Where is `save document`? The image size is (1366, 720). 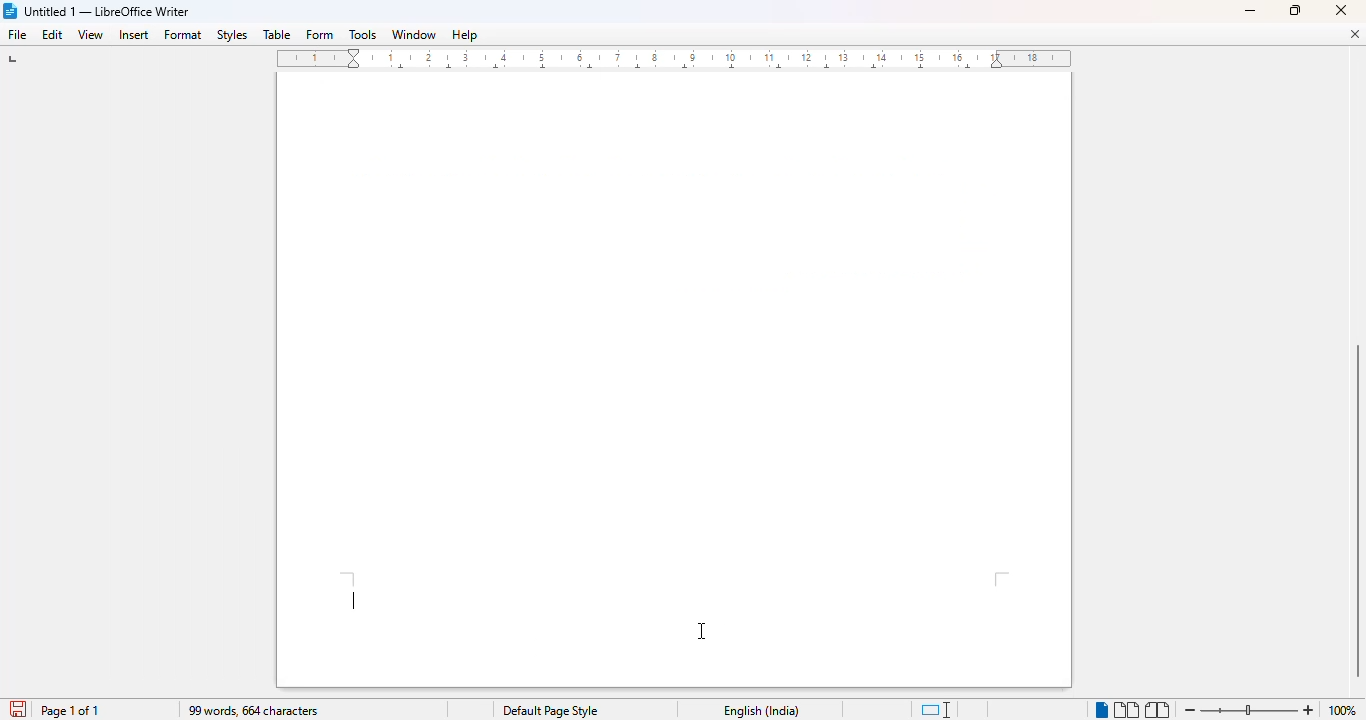
save document is located at coordinates (15, 707).